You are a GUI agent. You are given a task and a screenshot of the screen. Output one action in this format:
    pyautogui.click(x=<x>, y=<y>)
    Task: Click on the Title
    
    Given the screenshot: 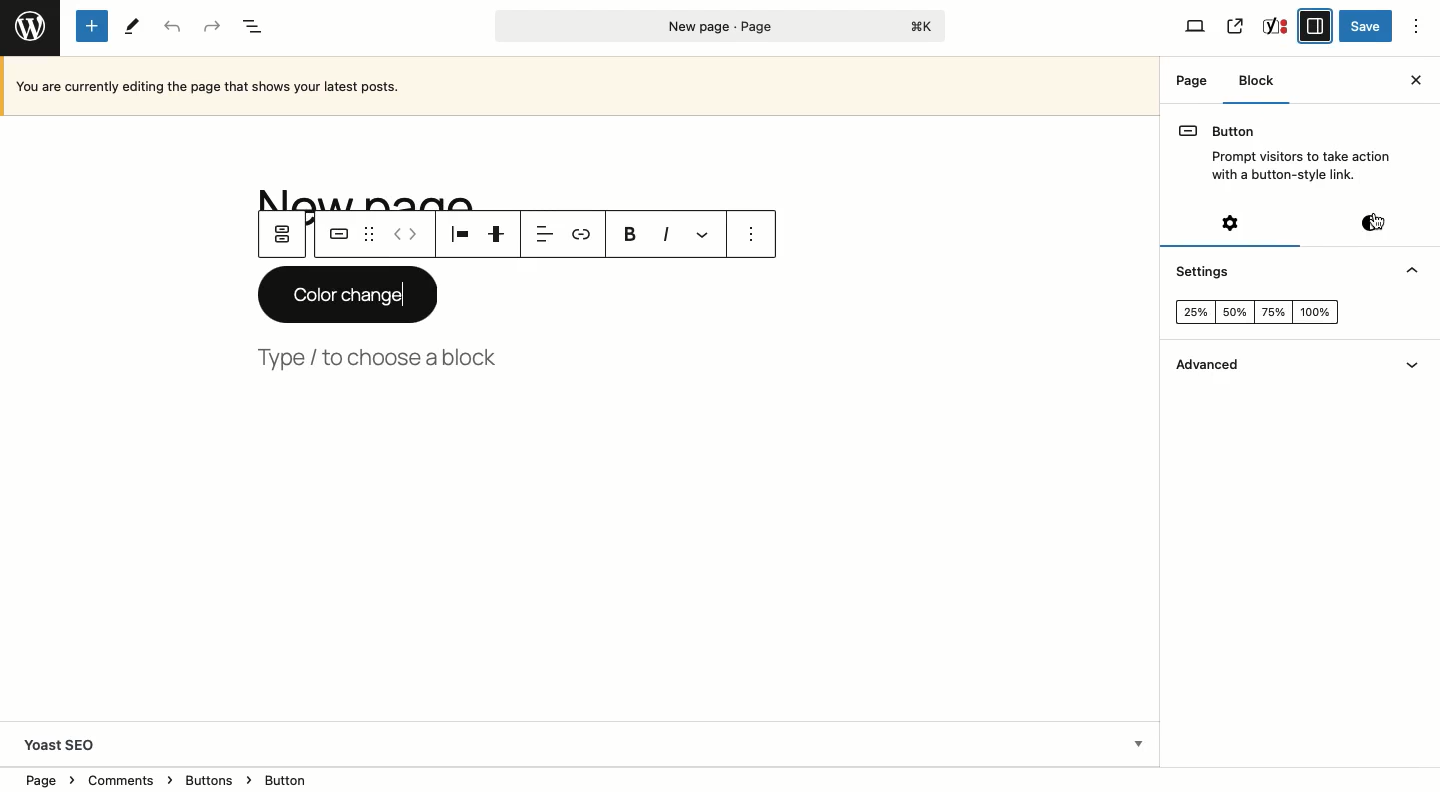 What is the action you would take?
    pyautogui.click(x=395, y=197)
    